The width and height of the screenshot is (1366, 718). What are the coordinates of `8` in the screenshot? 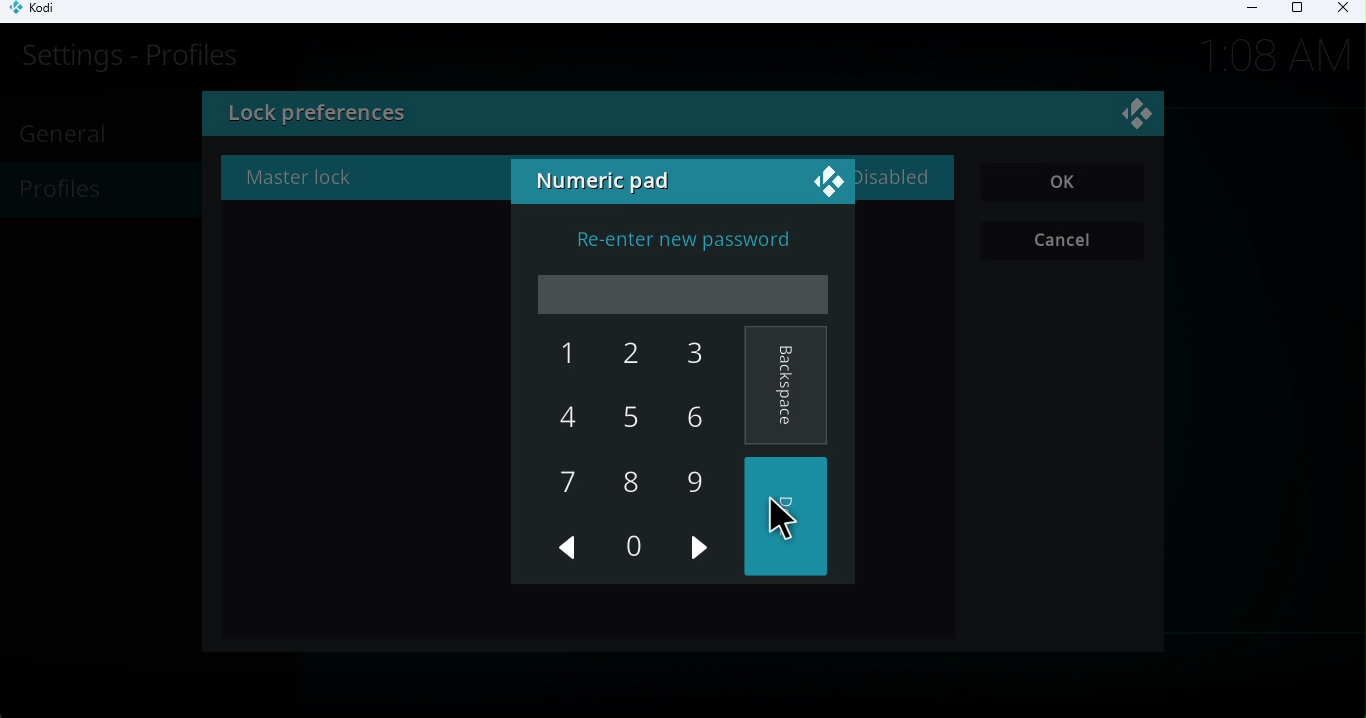 It's located at (629, 482).